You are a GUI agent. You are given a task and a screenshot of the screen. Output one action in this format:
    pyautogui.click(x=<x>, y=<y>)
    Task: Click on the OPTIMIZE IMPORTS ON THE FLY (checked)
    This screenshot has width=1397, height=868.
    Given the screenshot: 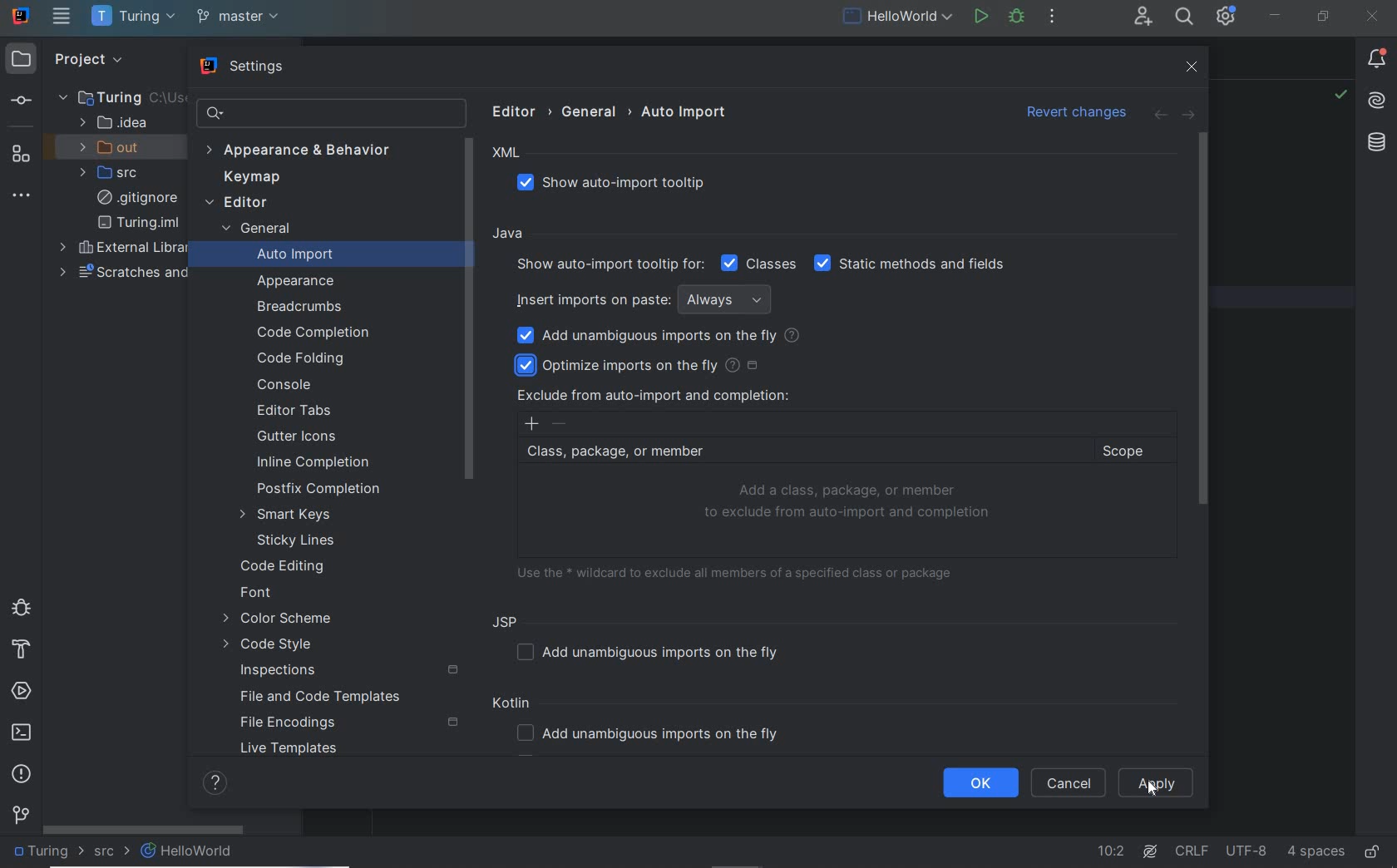 What is the action you would take?
    pyautogui.click(x=642, y=364)
    